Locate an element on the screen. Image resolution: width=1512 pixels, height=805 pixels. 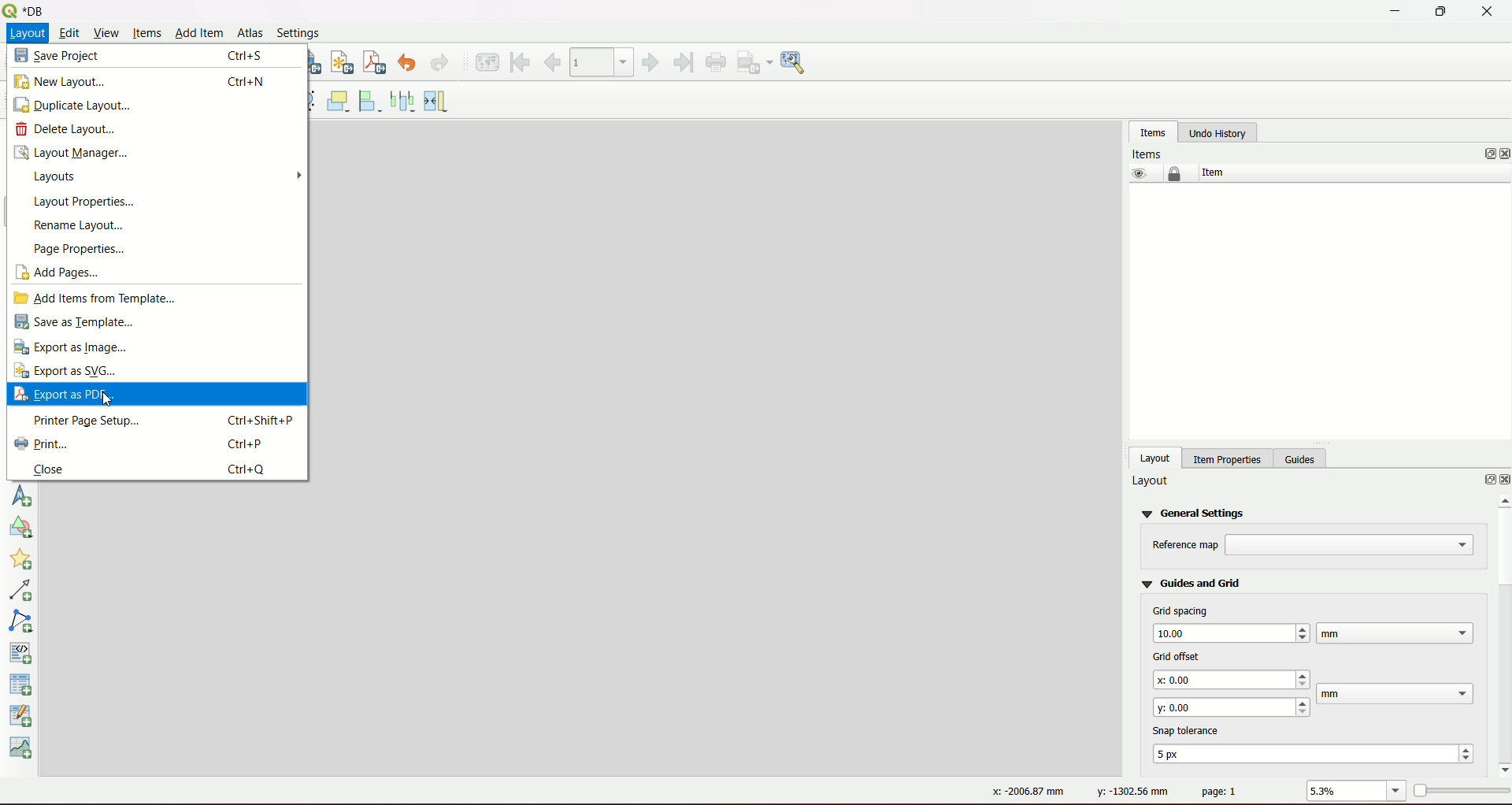
add north arrow is located at coordinates (24, 497).